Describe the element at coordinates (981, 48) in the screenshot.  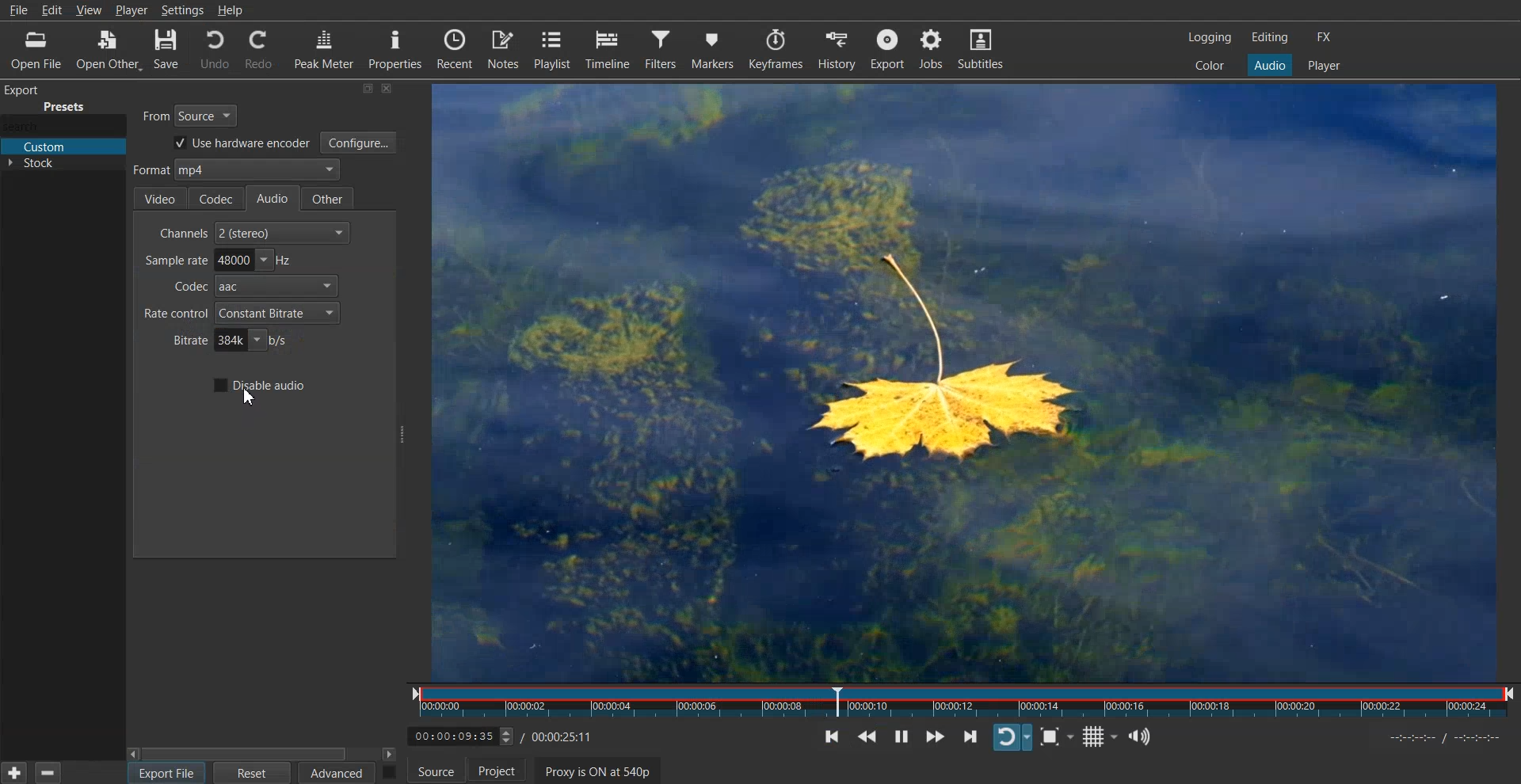
I see `Subtitles` at that location.